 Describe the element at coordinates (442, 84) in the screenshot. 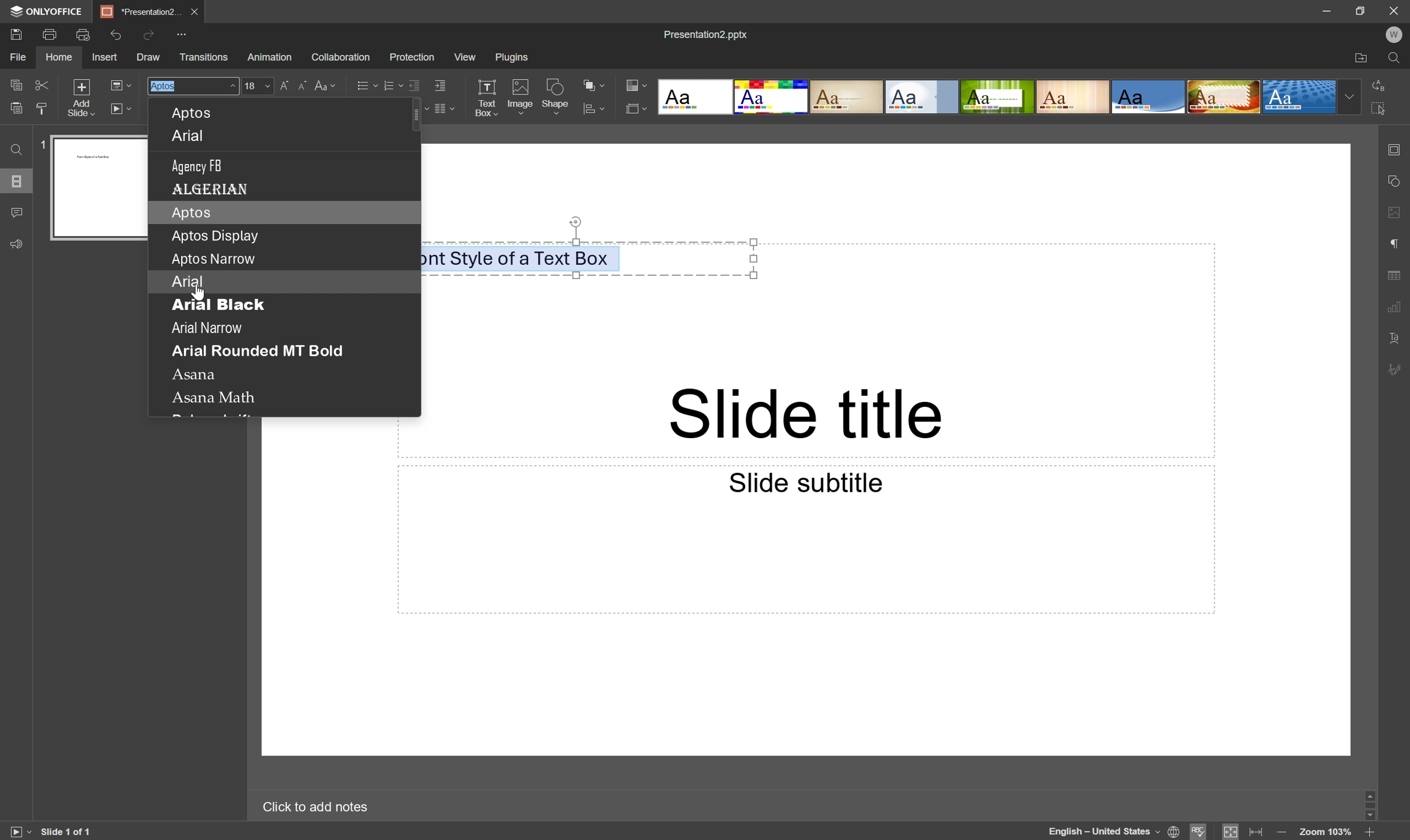

I see `Increase indent` at that location.